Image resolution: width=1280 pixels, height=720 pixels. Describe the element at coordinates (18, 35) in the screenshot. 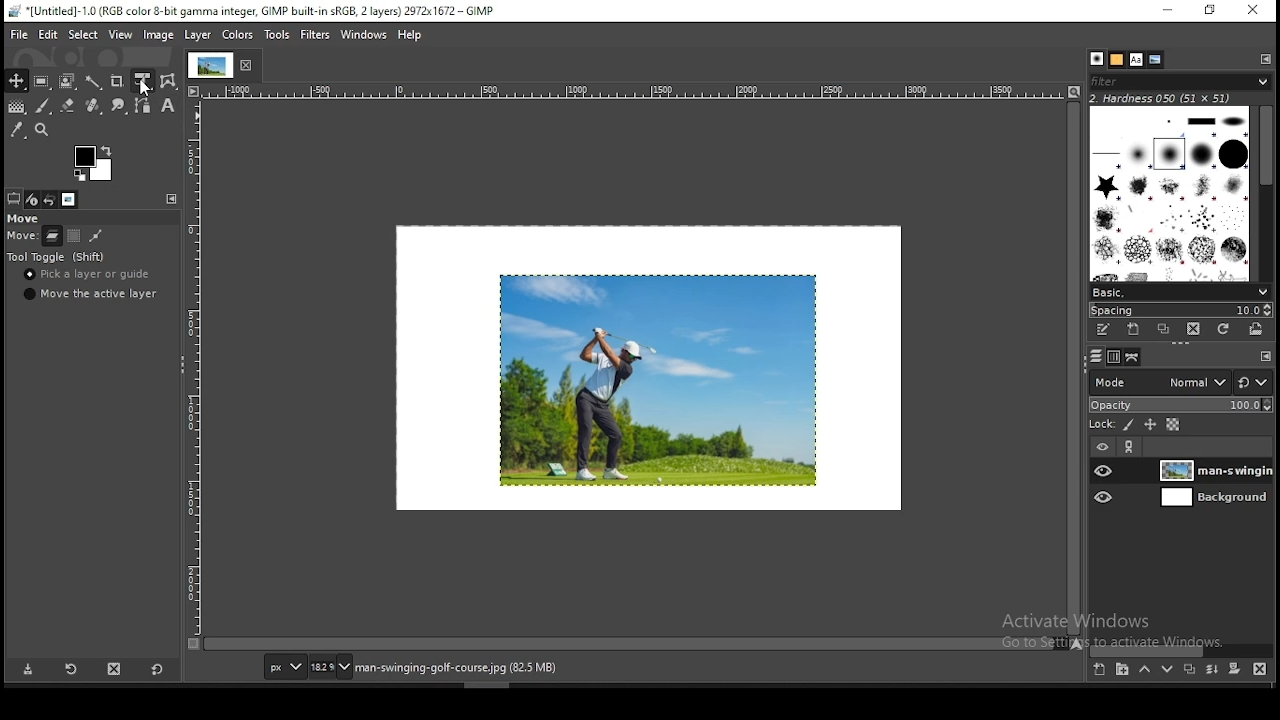

I see `file` at that location.